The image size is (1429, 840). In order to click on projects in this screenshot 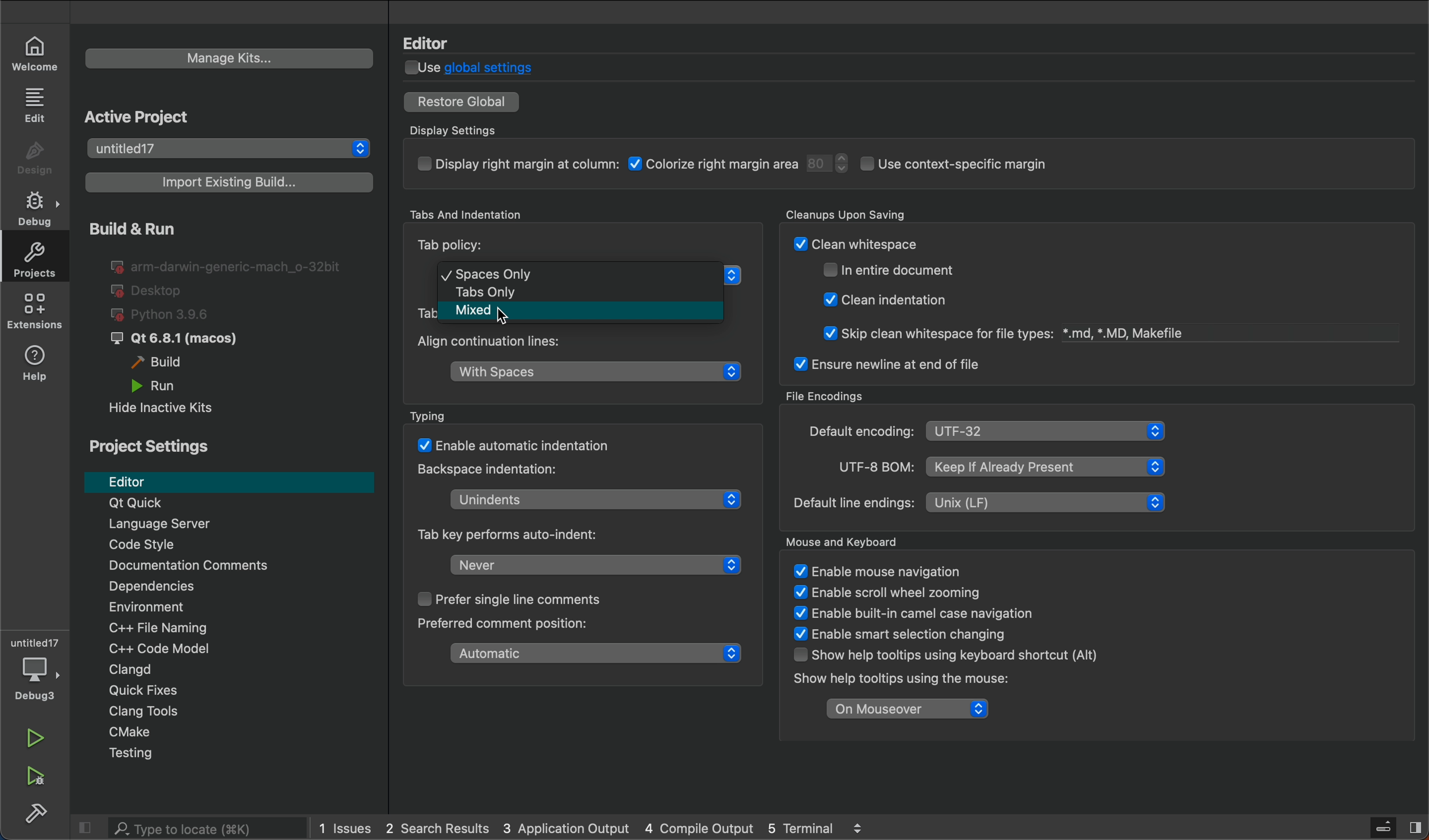, I will do `click(32, 257)`.